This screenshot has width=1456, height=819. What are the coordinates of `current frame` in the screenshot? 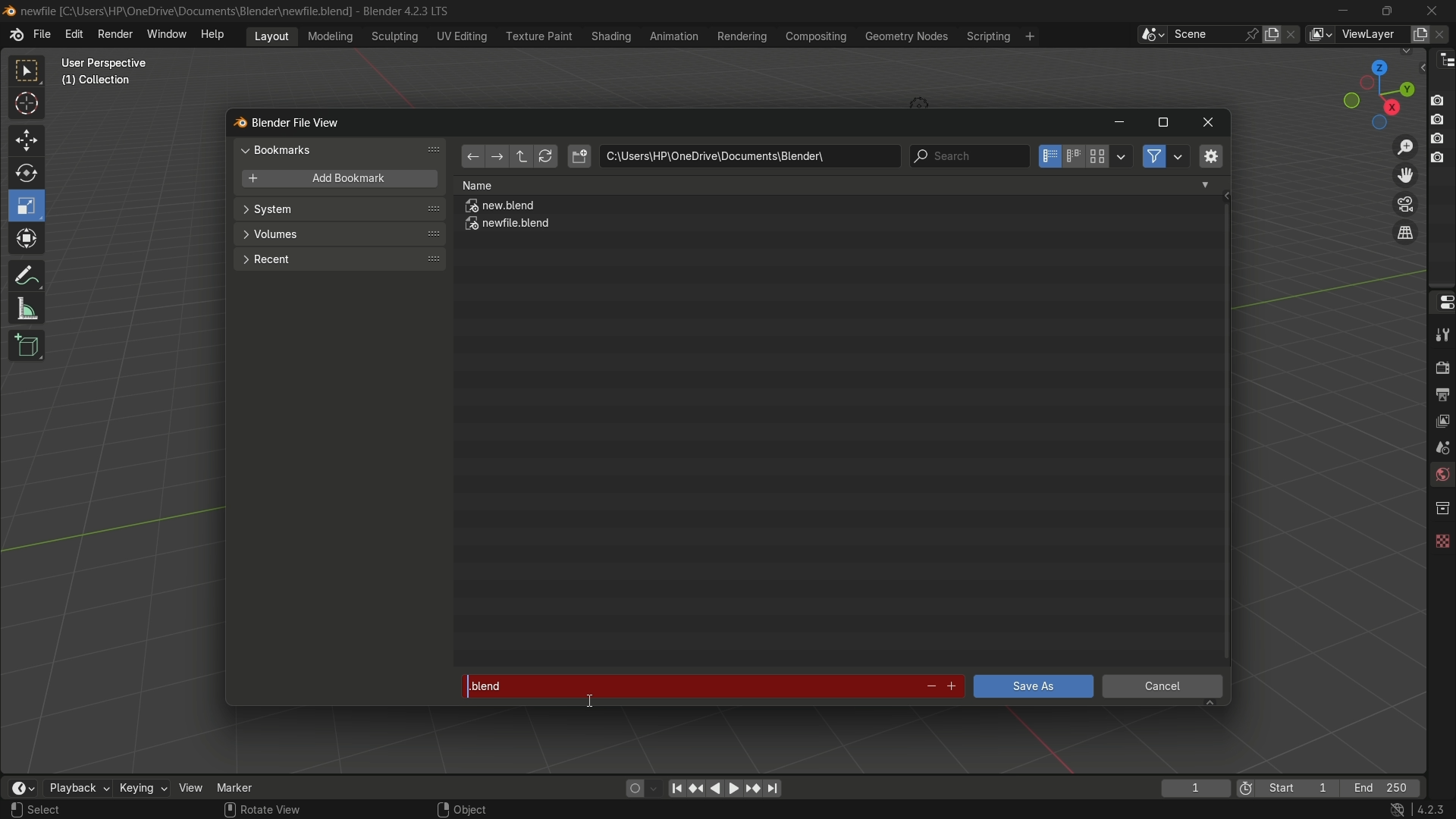 It's located at (1194, 788).